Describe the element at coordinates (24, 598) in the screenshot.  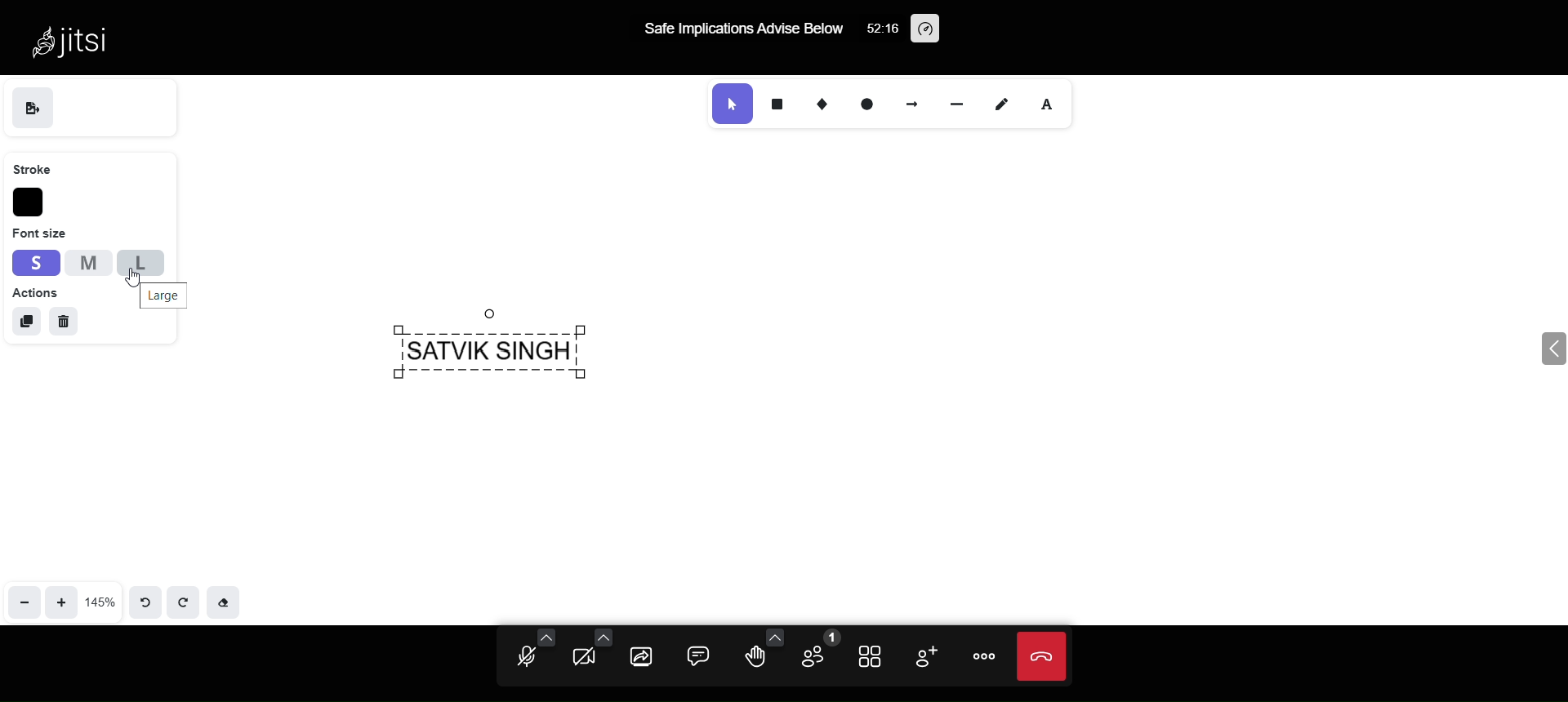
I see `zoom out` at that location.